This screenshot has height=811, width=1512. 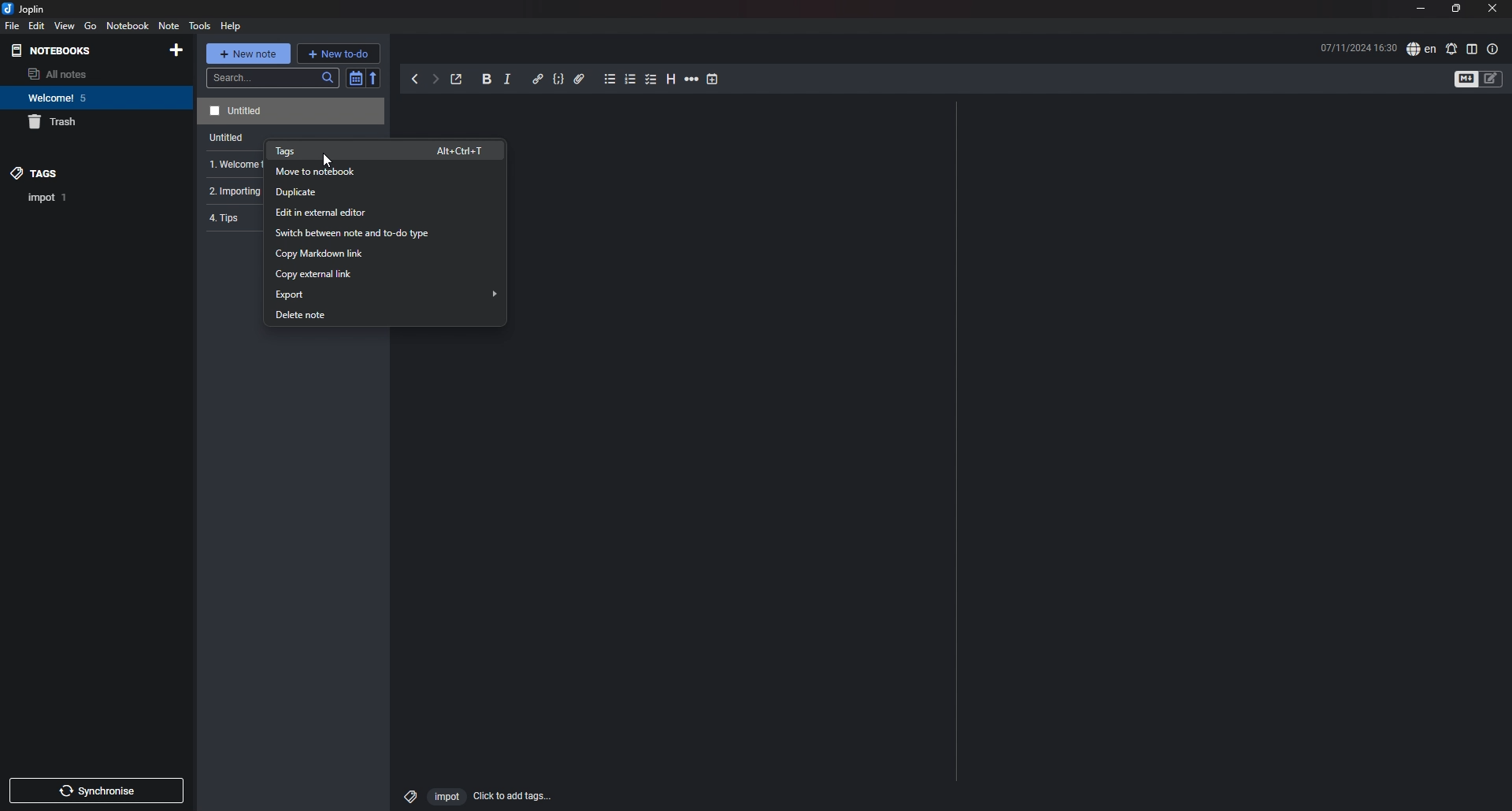 What do you see at coordinates (457, 80) in the screenshot?
I see `toggle external editing` at bounding box center [457, 80].